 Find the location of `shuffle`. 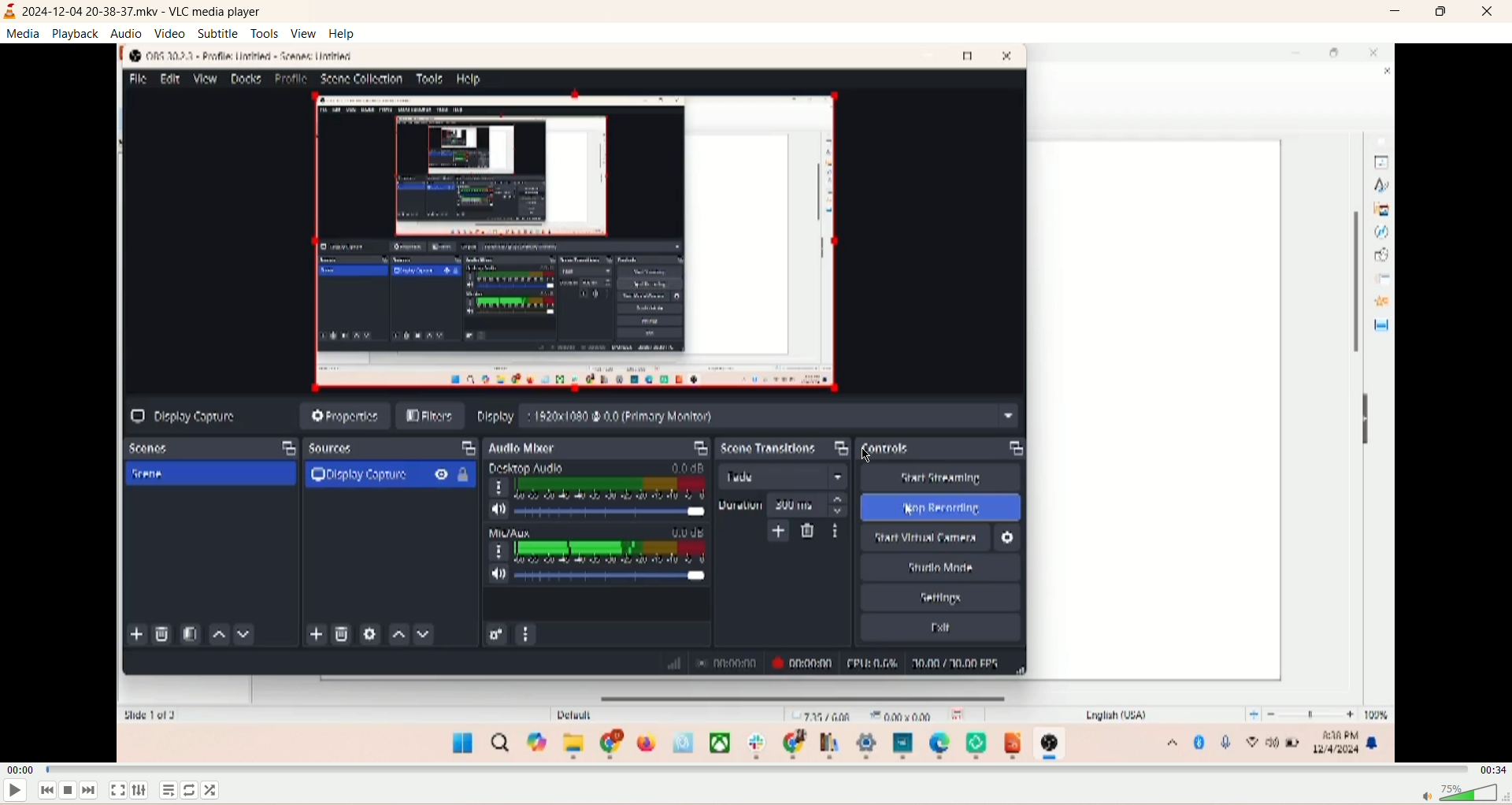

shuffle is located at coordinates (216, 791).